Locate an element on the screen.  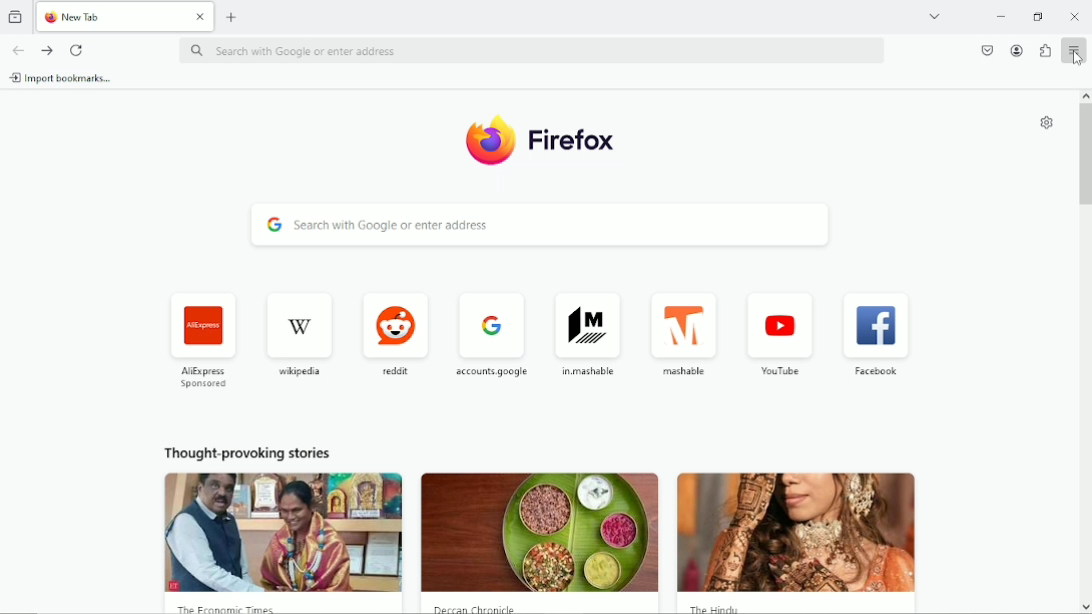
scroll down is located at coordinates (1084, 606).